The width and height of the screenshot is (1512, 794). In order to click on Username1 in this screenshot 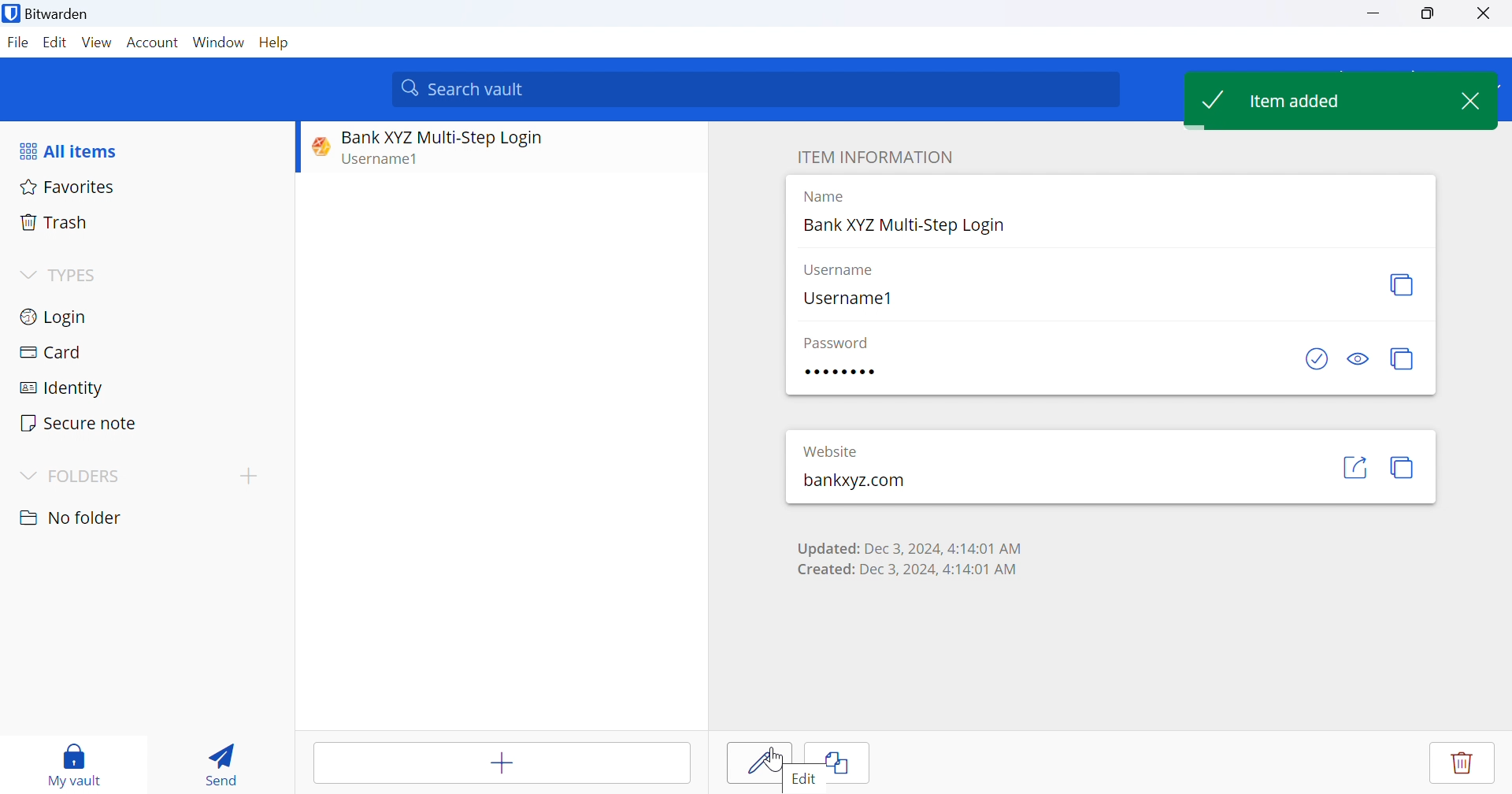, I will do `click(849, 296)`.